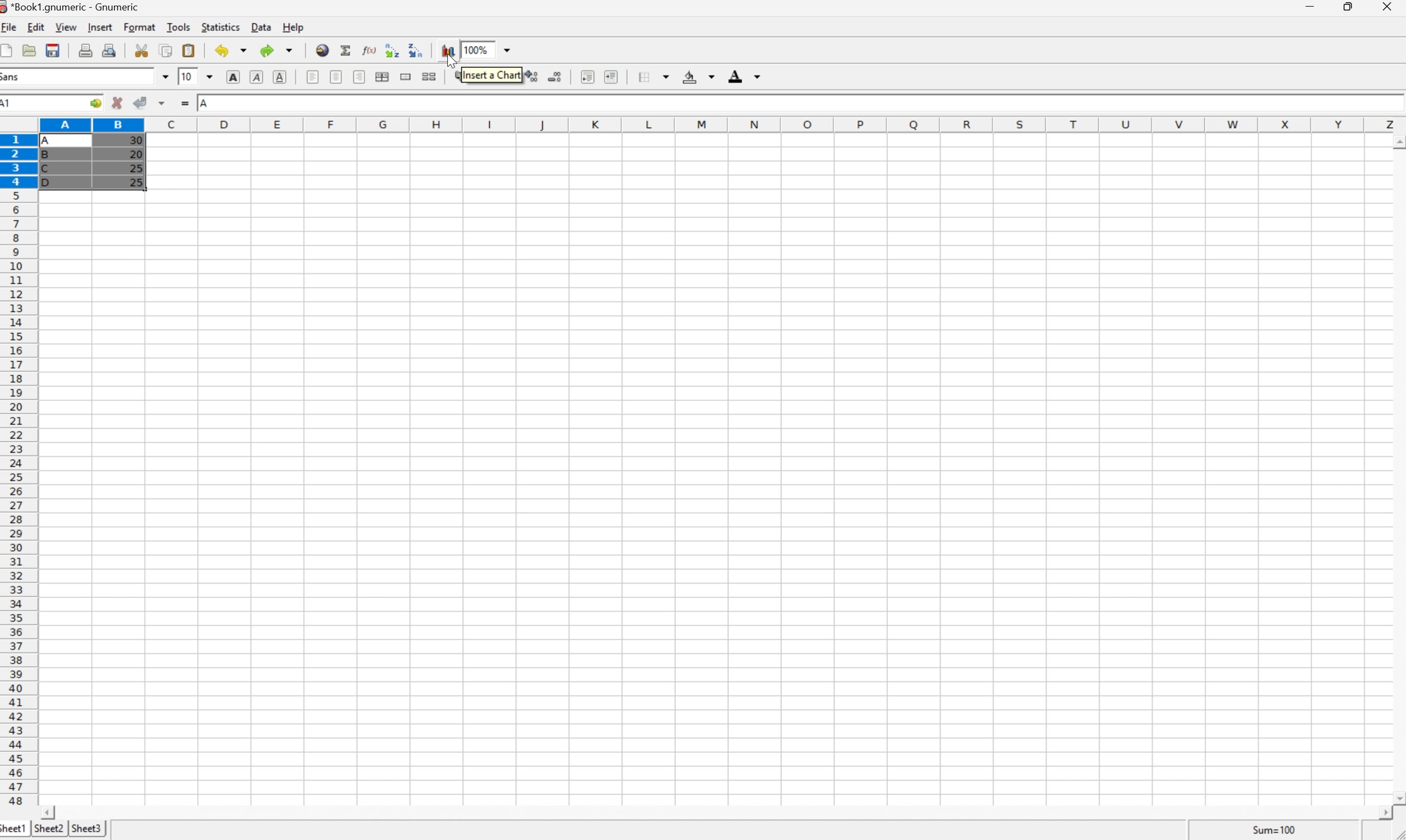  Describe the element at coordinates (557, 78) in the screenshot. I see `Decrease number of decimals displayed` at that location.